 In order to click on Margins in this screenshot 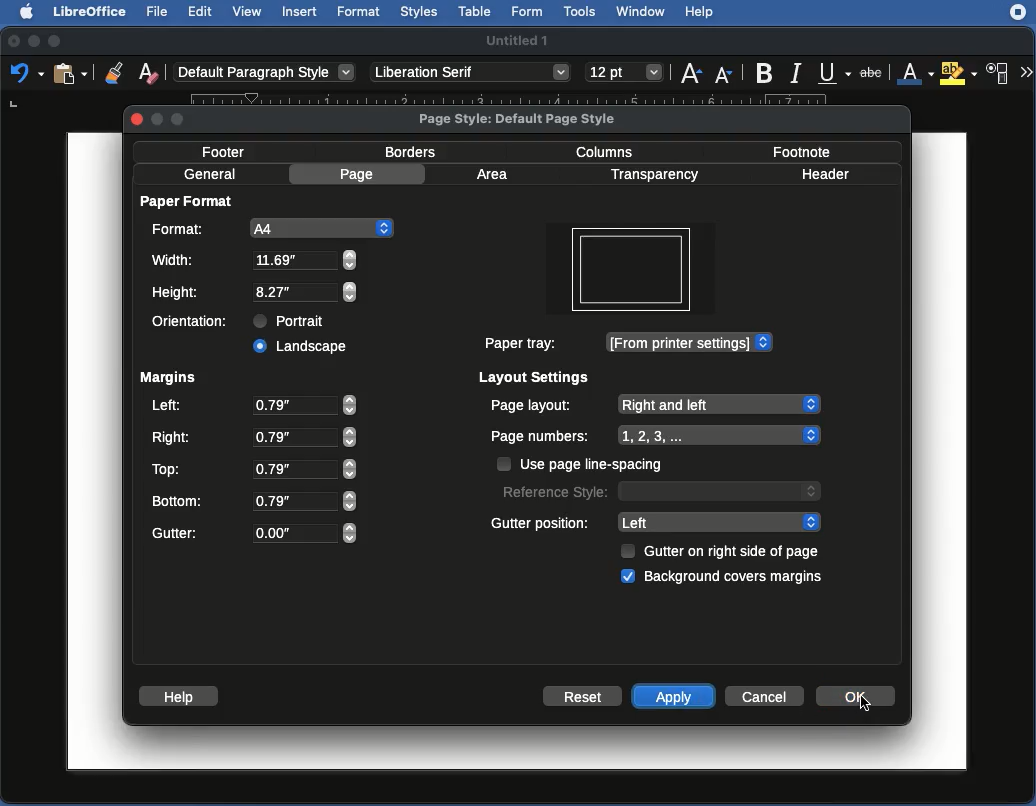, I will do `click(170, 380)`.